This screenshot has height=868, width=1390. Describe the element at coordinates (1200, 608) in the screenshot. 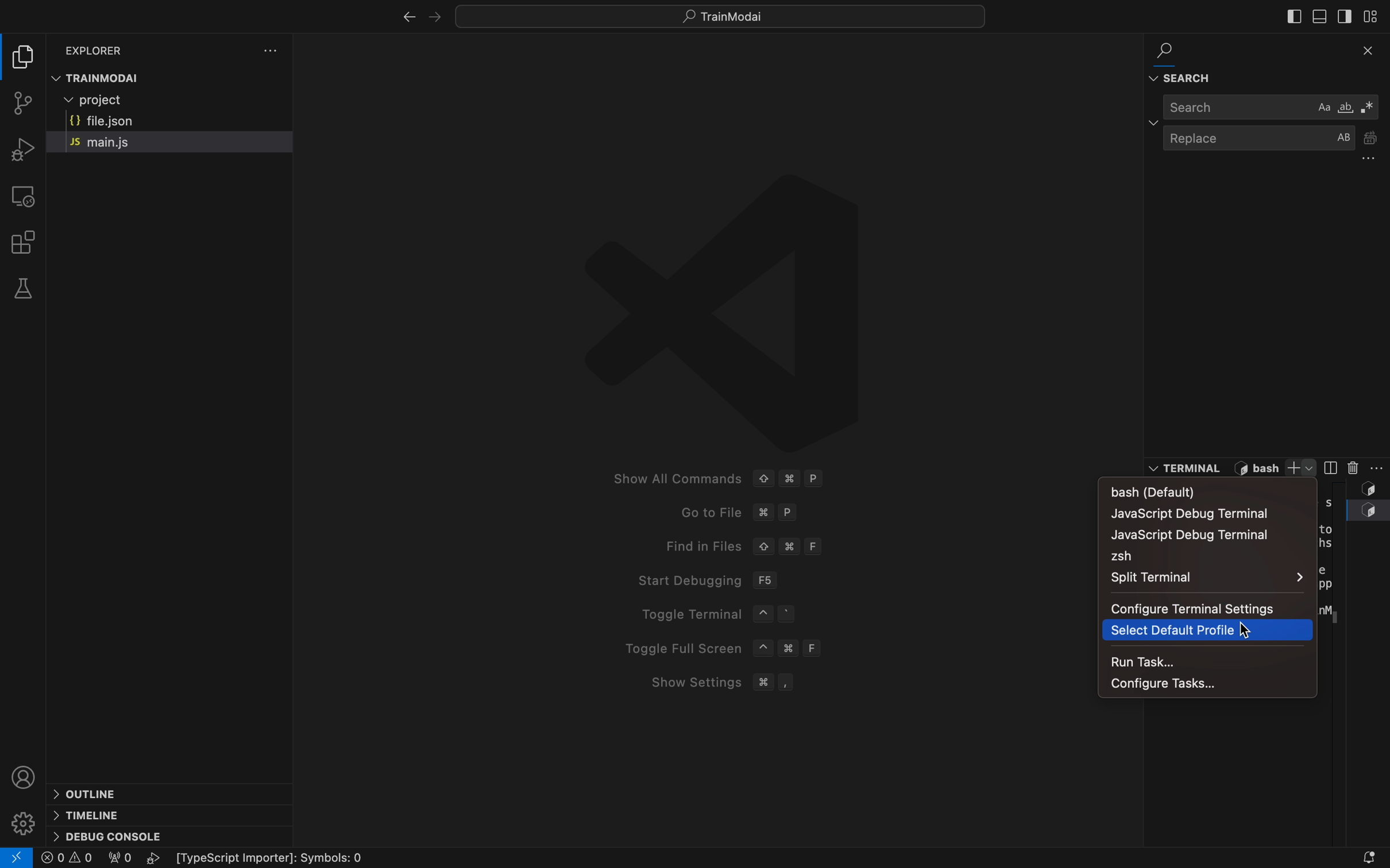

I see `` at that location.